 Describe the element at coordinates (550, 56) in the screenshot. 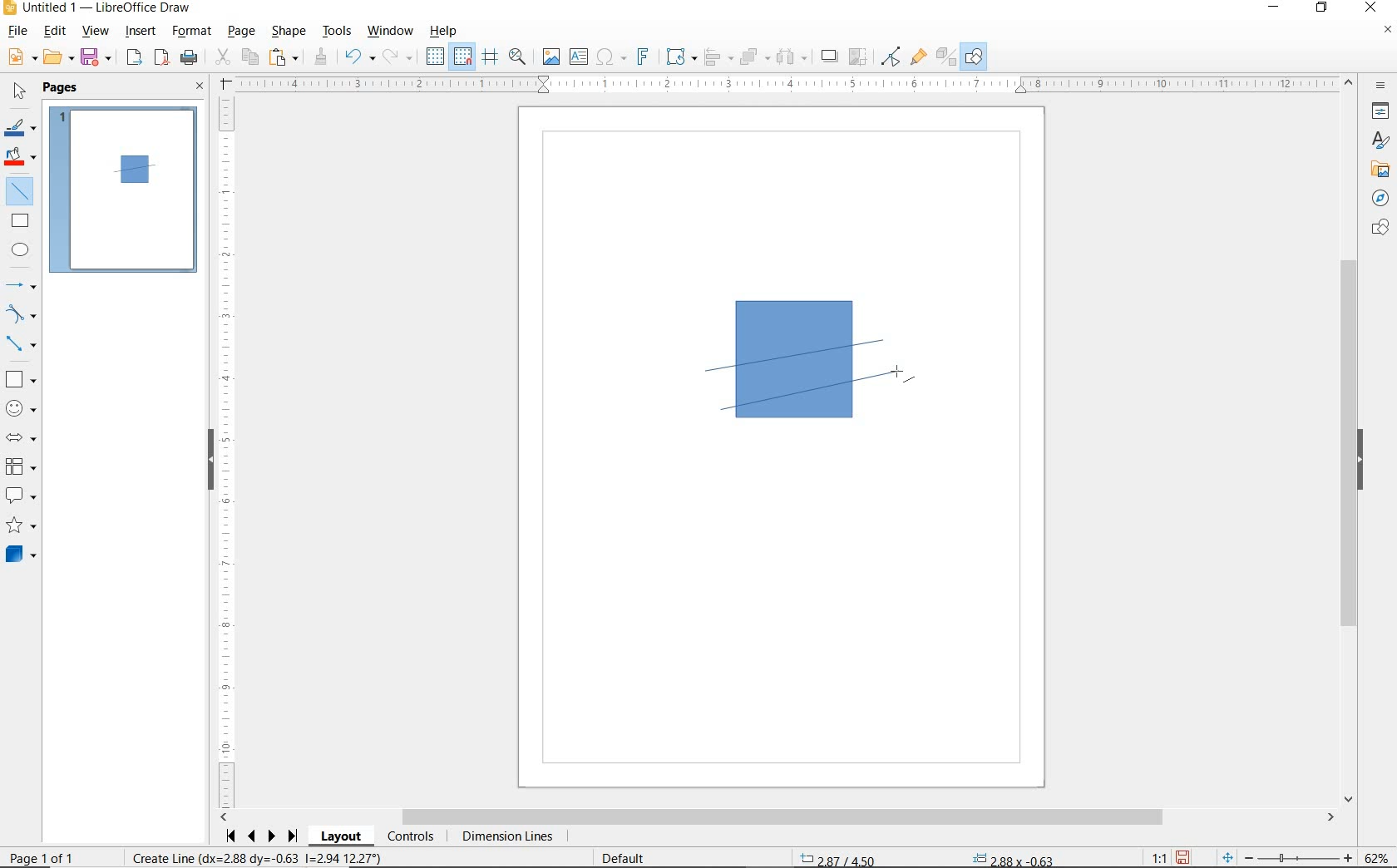

I see `IMAGE` at that location.